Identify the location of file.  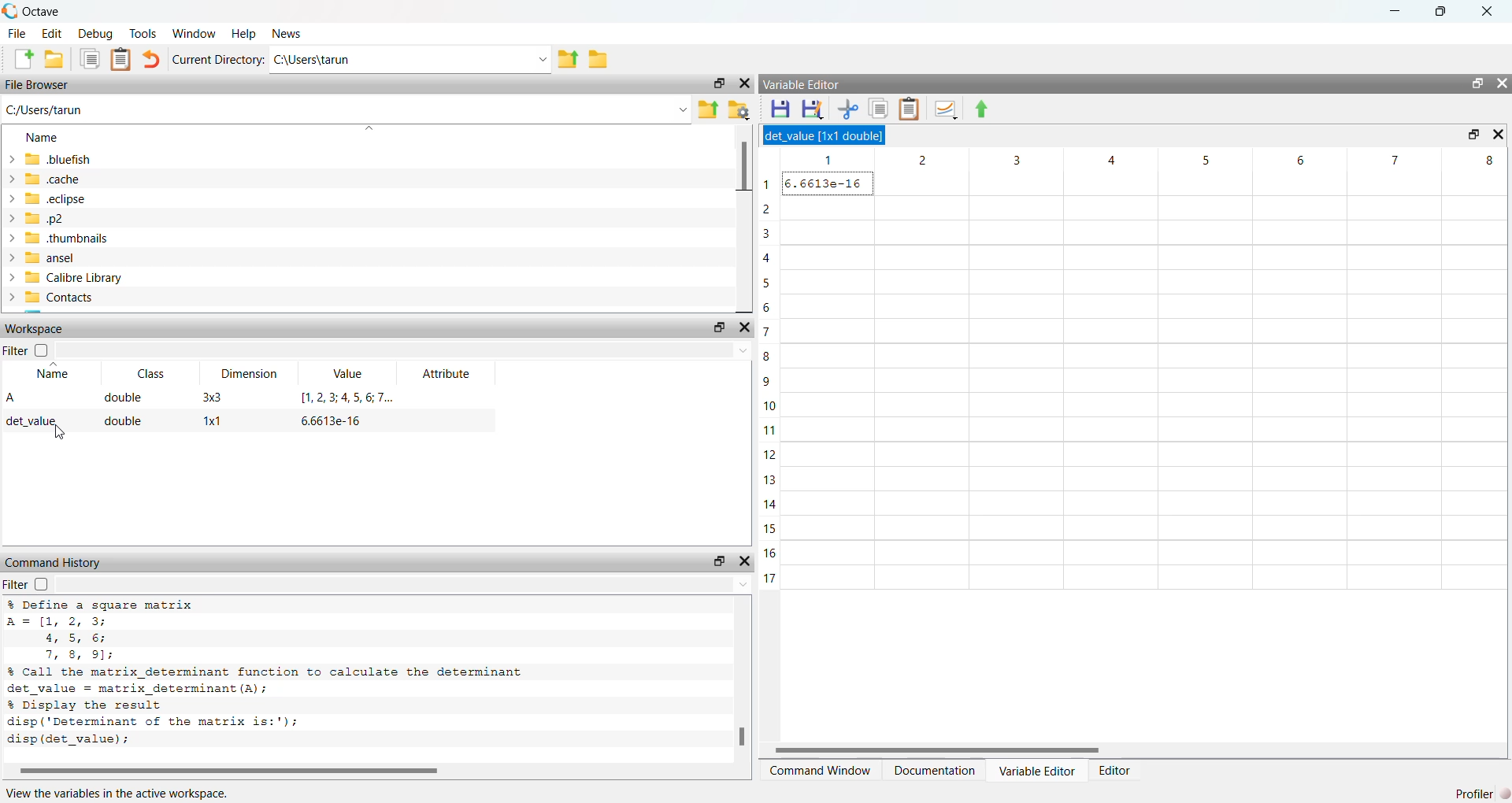
(17, 34).